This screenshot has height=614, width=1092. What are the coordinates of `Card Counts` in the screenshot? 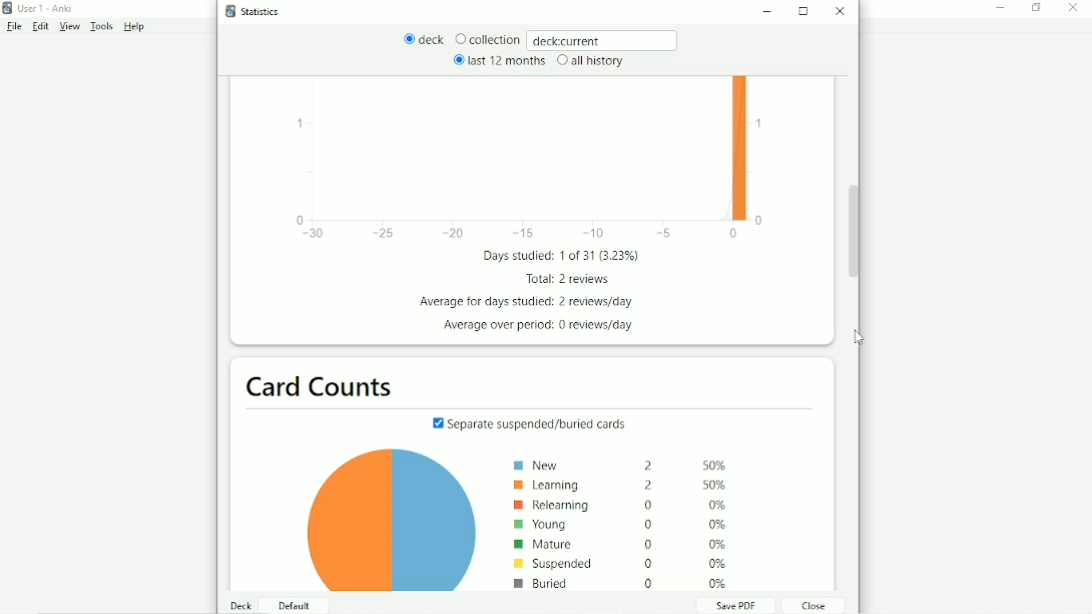 It's located at (324, 385).